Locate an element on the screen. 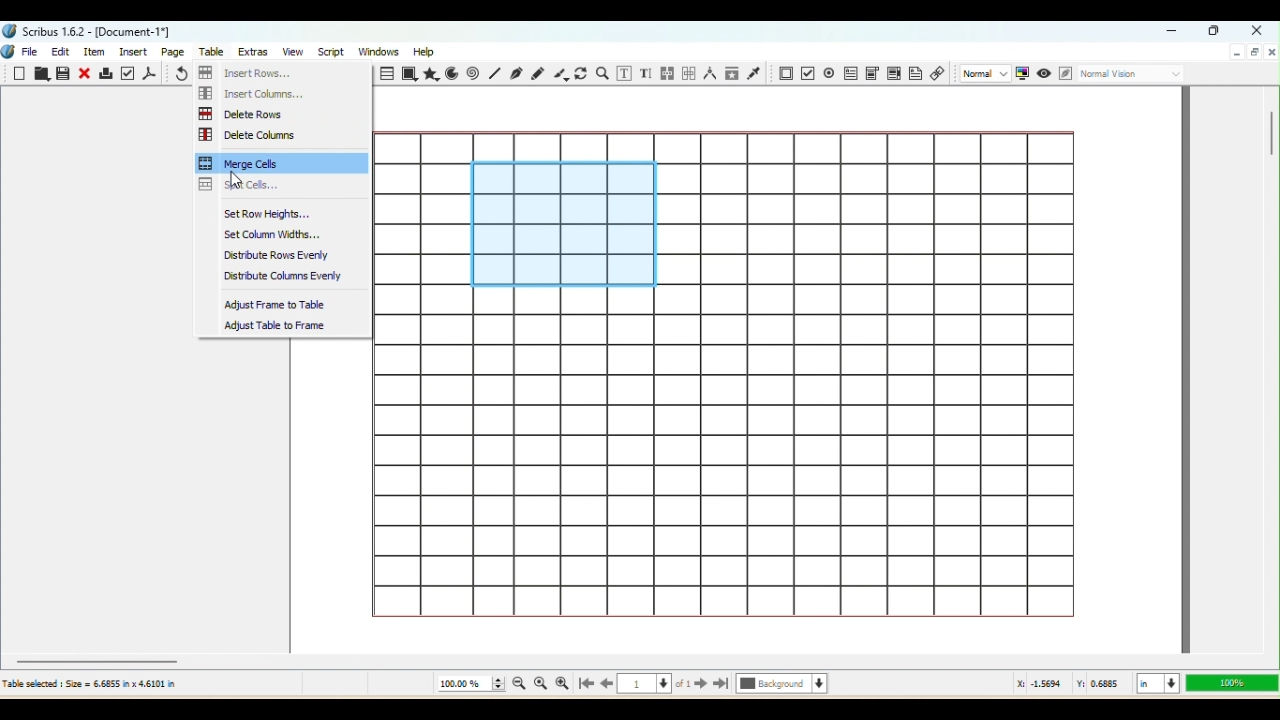 Image resolution: width=1280 pixels, height=720 pixels. Distribute columns evenly is located at coordinates (284, 277).